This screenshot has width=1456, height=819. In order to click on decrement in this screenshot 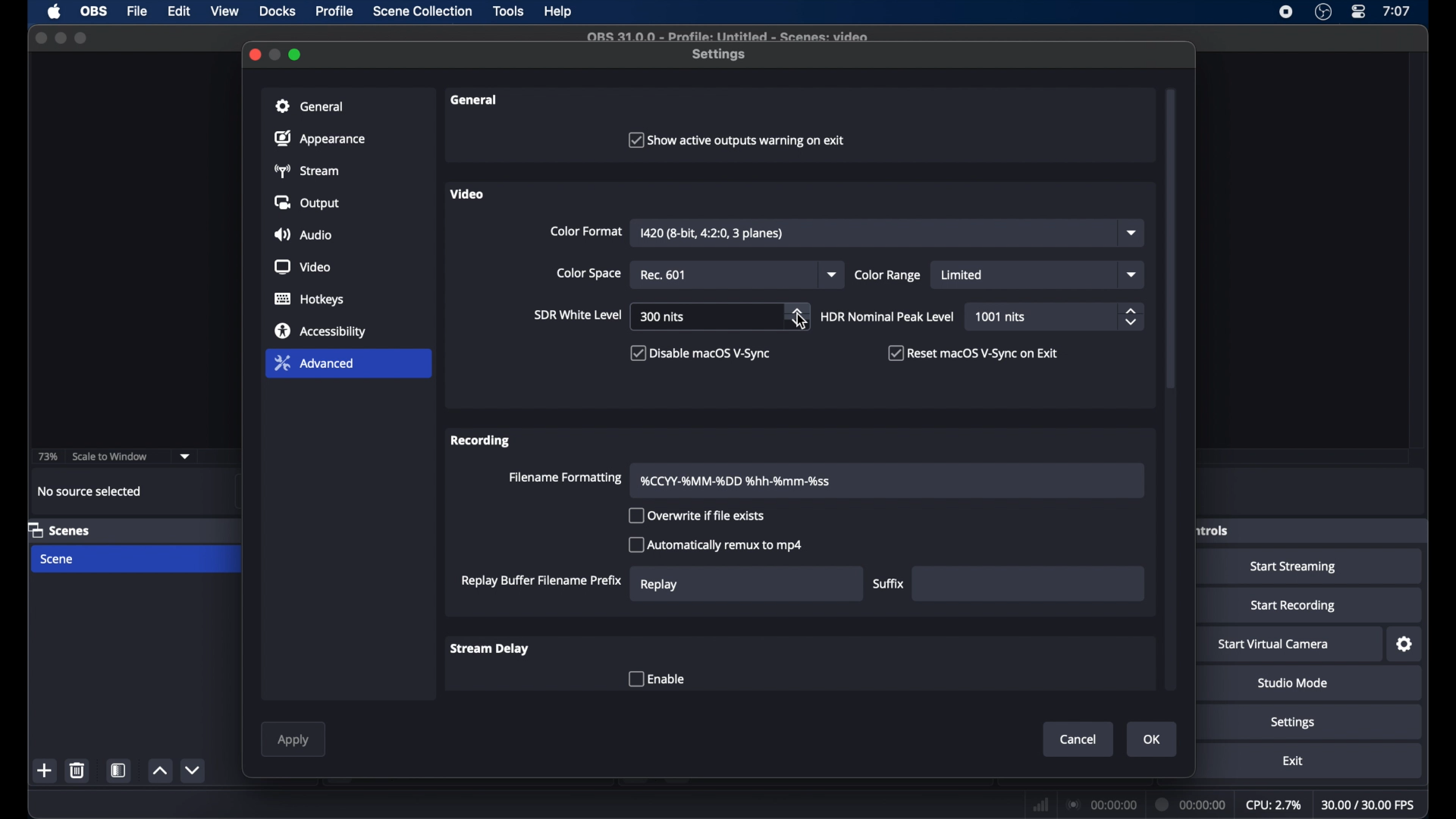, I will do `click(193, 770)`.